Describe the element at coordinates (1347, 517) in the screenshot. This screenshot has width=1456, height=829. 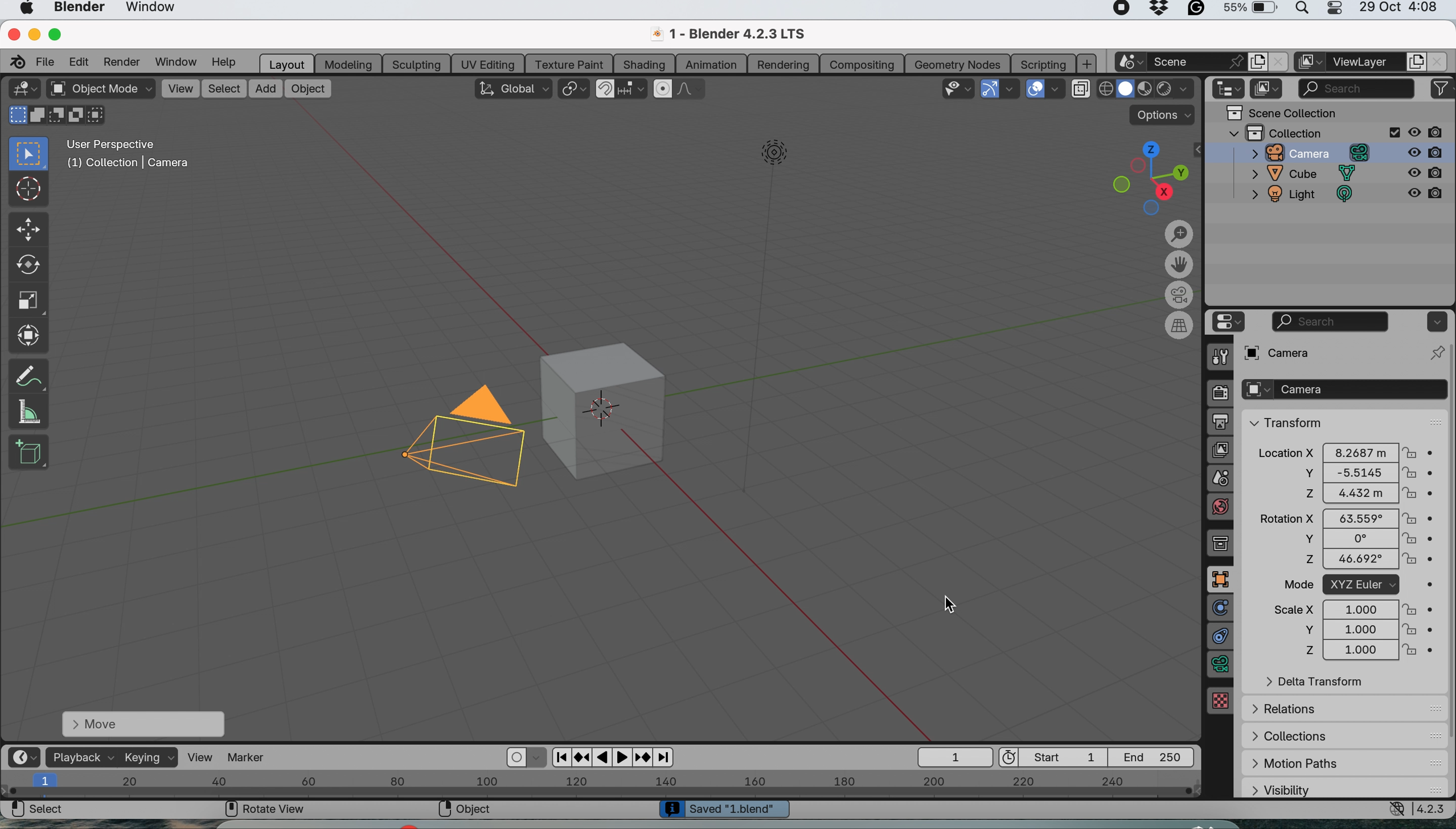
I see `rotation x 63.559` at that location.